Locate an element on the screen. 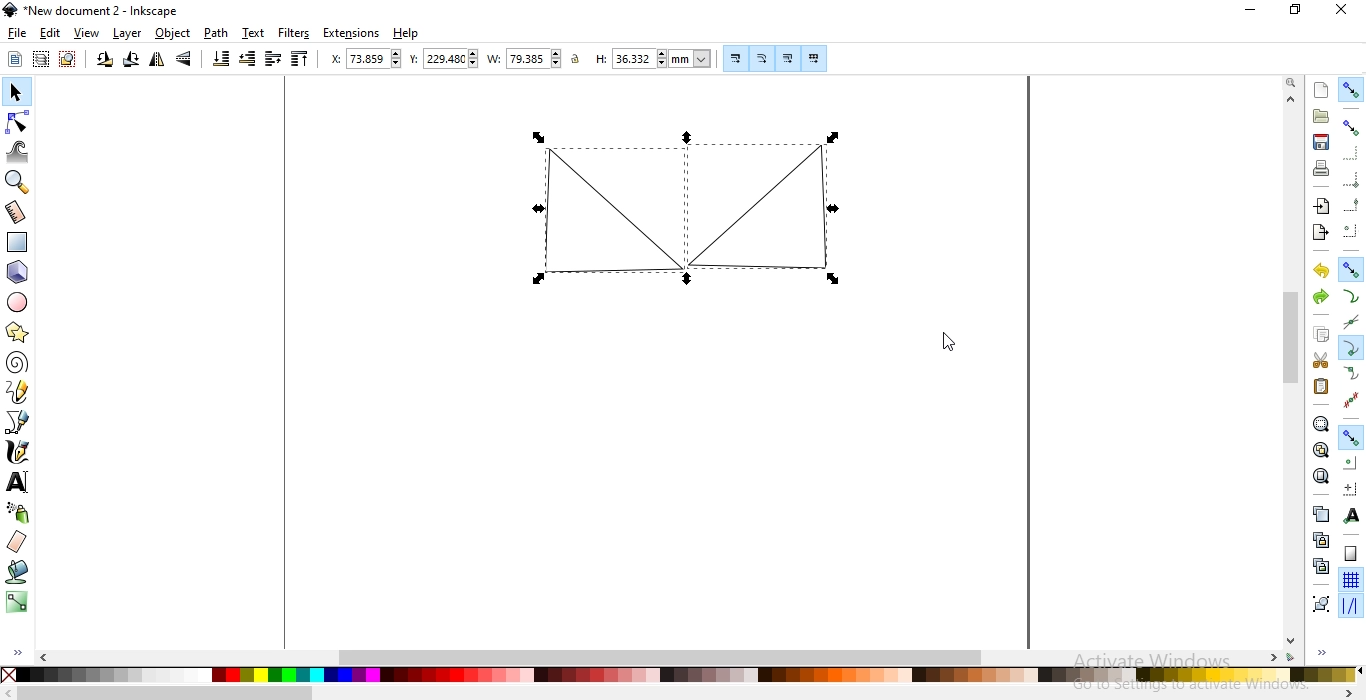  snapping centers of bounding boxes is located at coordinates (1351, 229).